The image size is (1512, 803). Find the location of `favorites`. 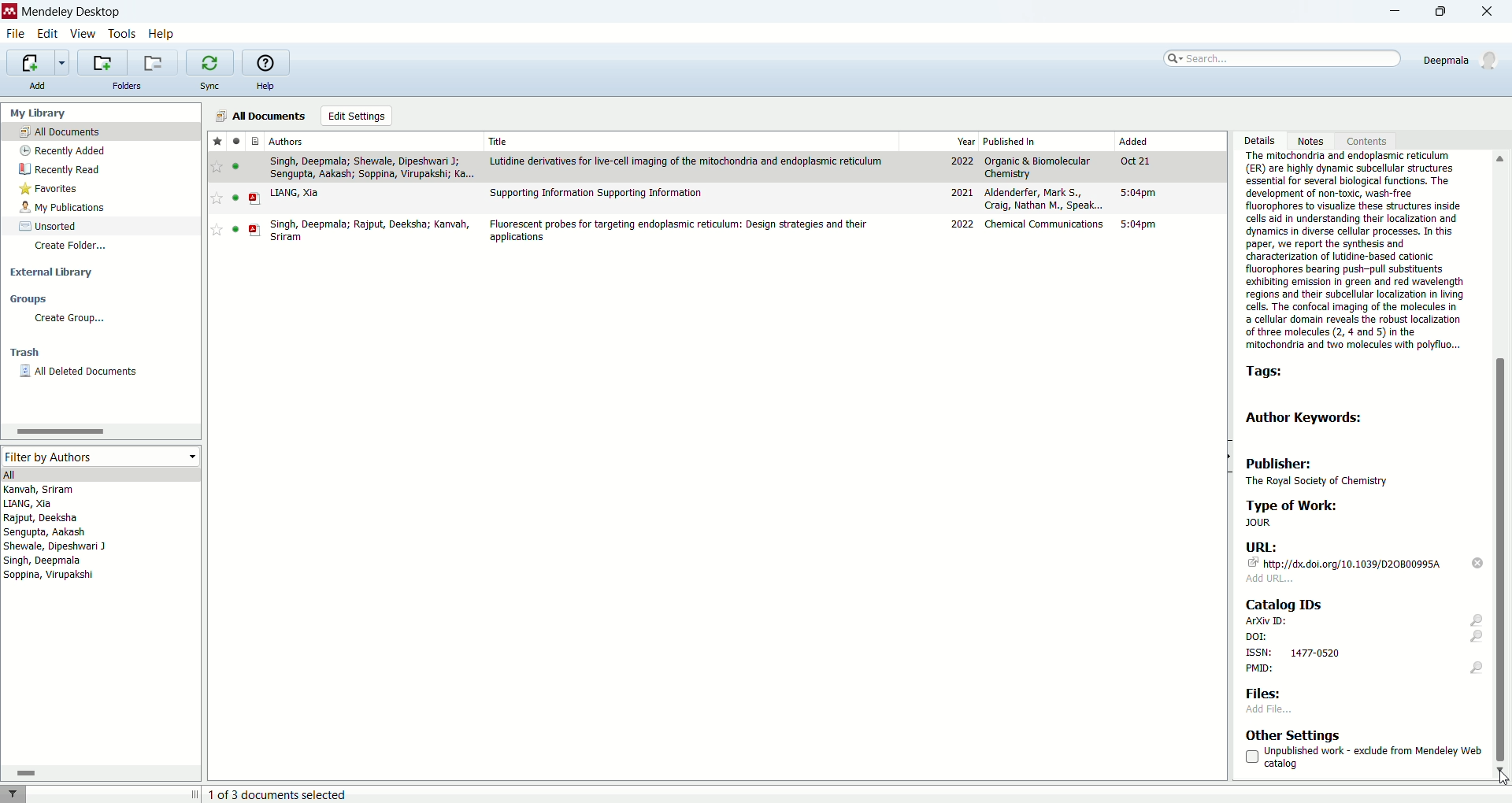

favorites is located at coordinates (50, 189).